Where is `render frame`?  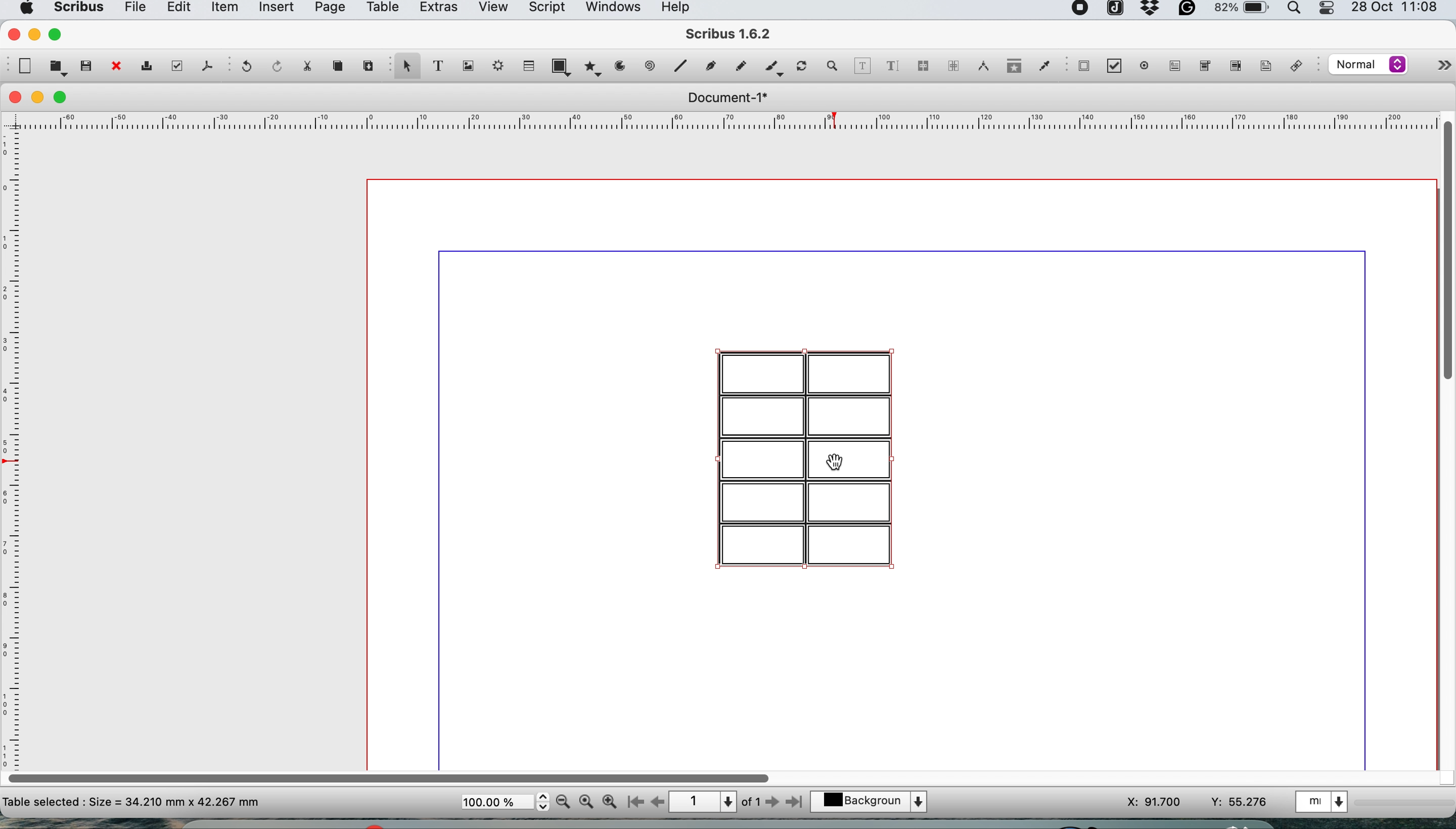
render frame is located at coordinates (495, 65).